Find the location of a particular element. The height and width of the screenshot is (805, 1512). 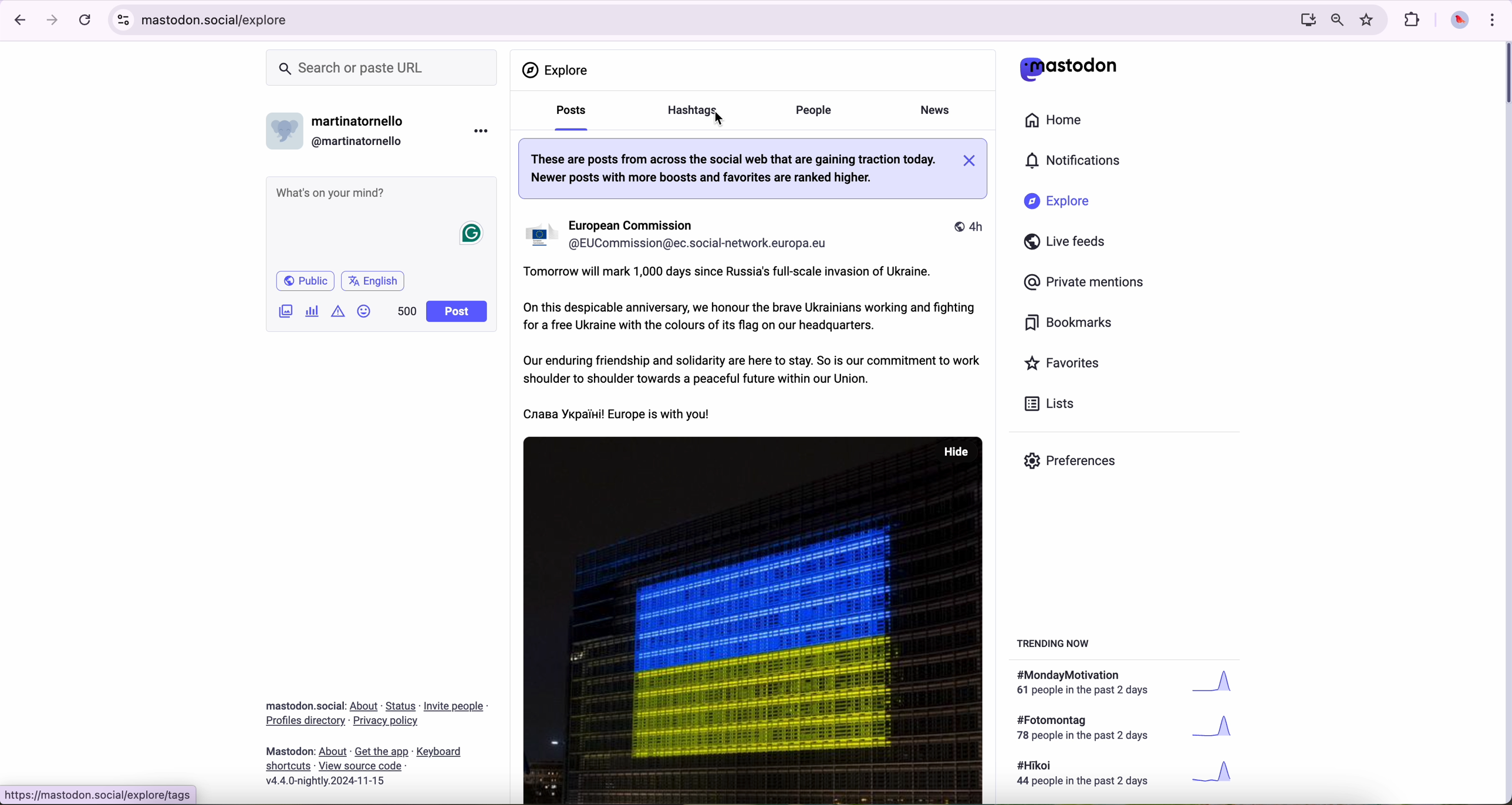

image is located at coordinates (752, 632).